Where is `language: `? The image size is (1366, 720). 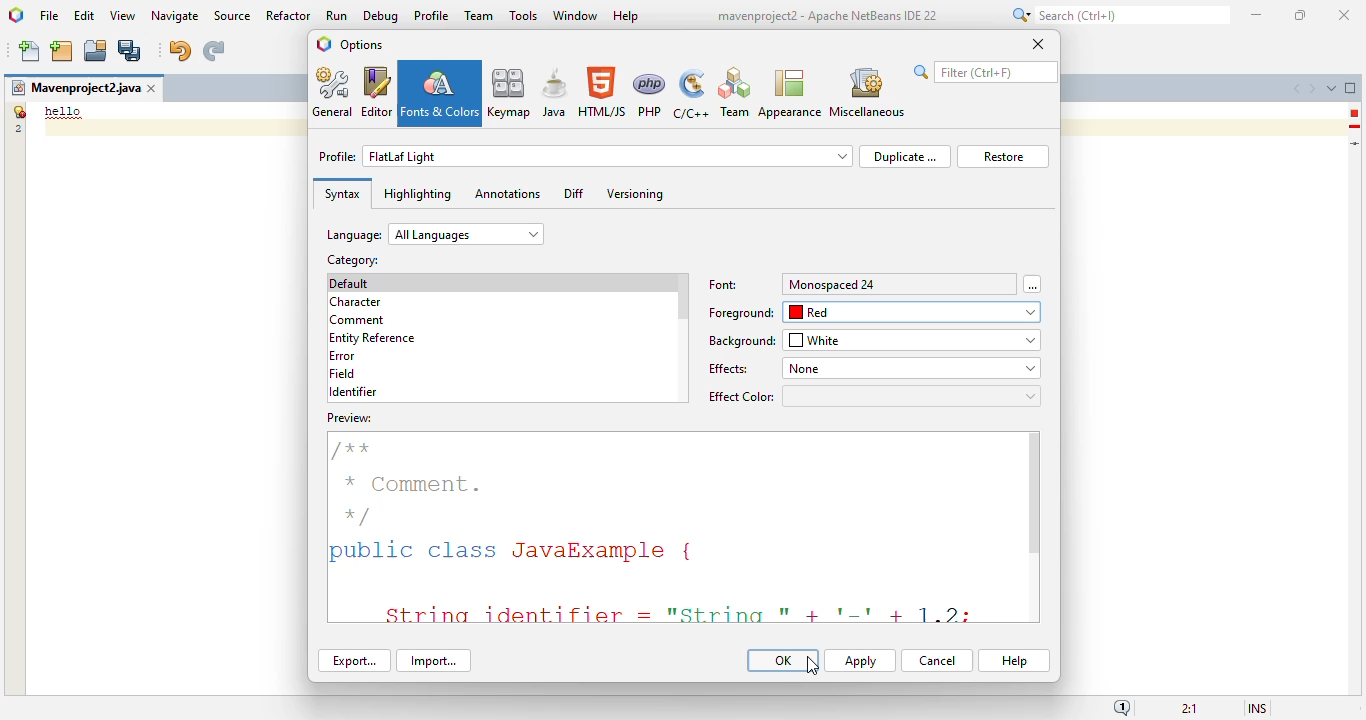 language:  is located at coordinates (435, 234).